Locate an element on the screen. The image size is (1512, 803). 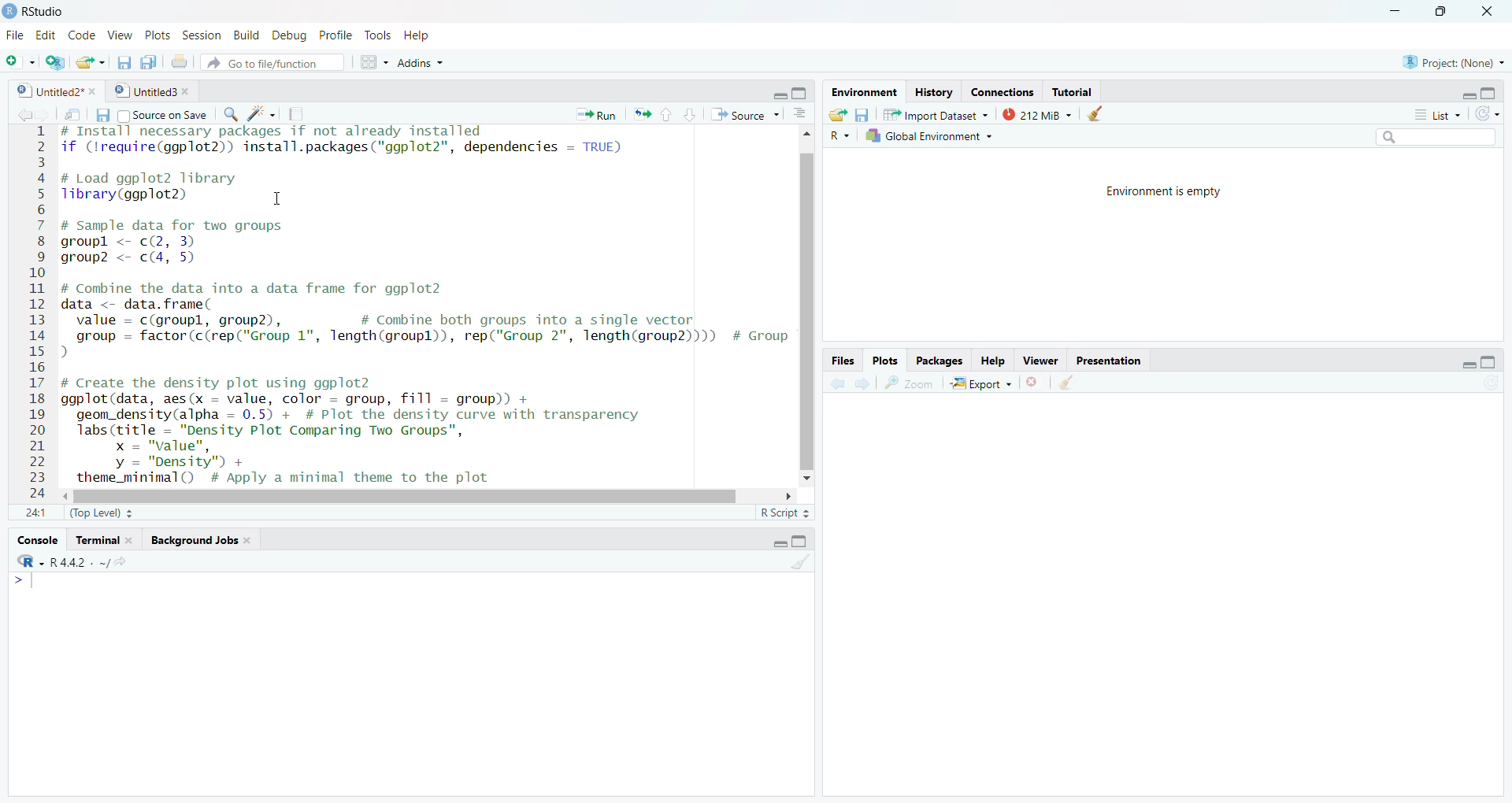
console is located at coordinates (33, 540).